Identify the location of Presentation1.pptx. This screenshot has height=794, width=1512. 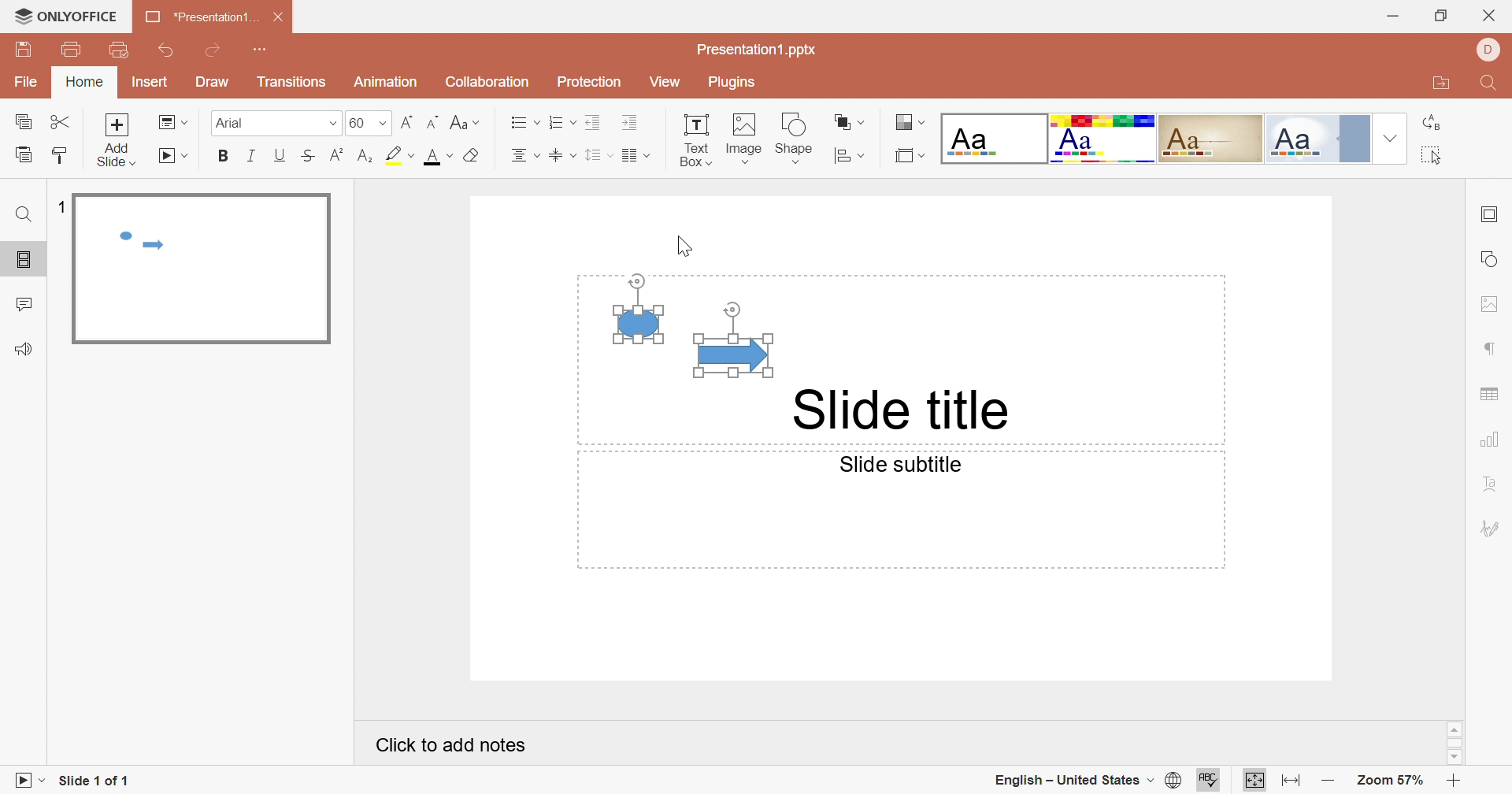
(758, 50).